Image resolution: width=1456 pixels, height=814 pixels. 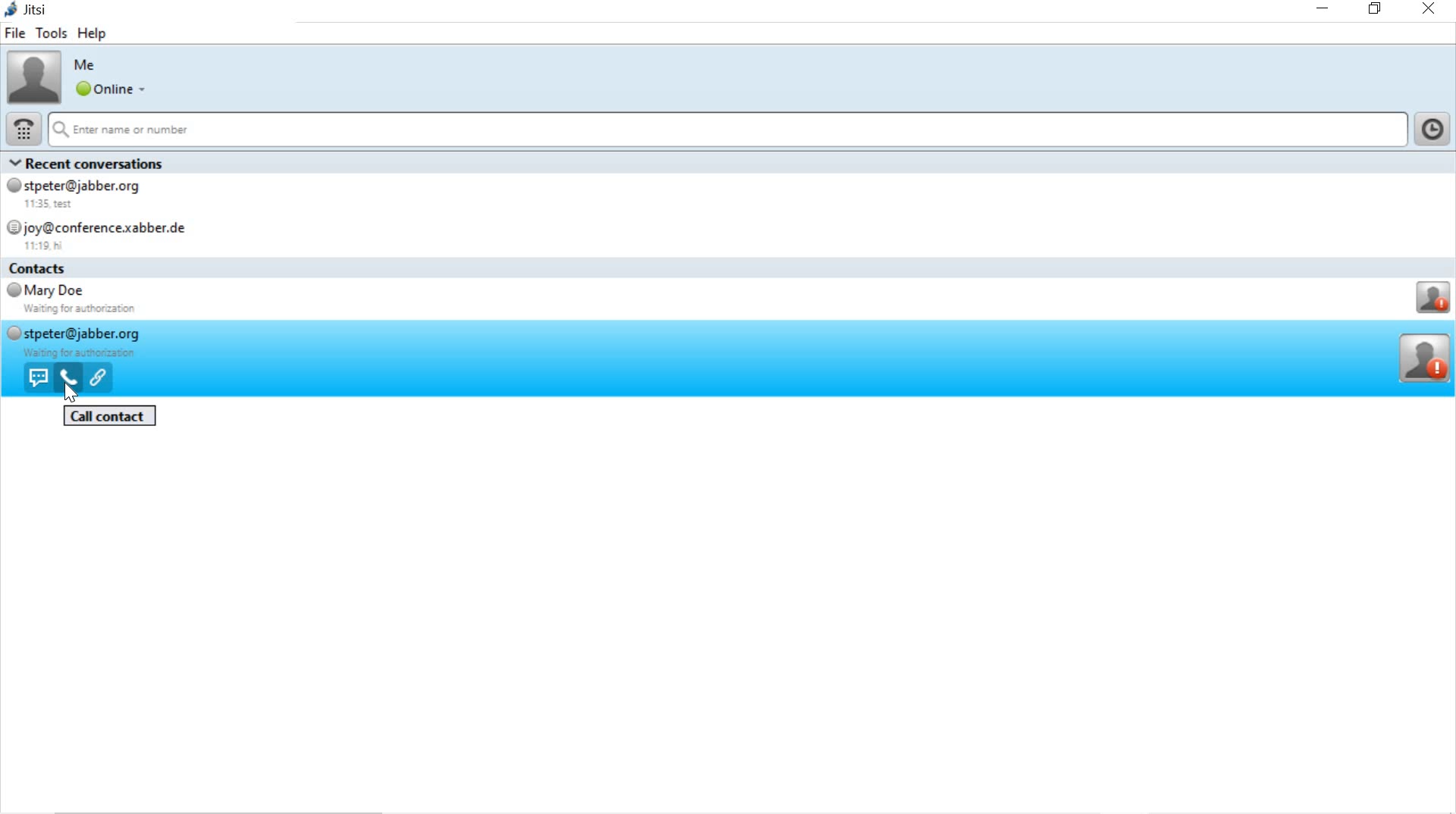 What do you see at coordinates (16, 35) in the screenshot?
I see `file` at bounding box center [16, 35].